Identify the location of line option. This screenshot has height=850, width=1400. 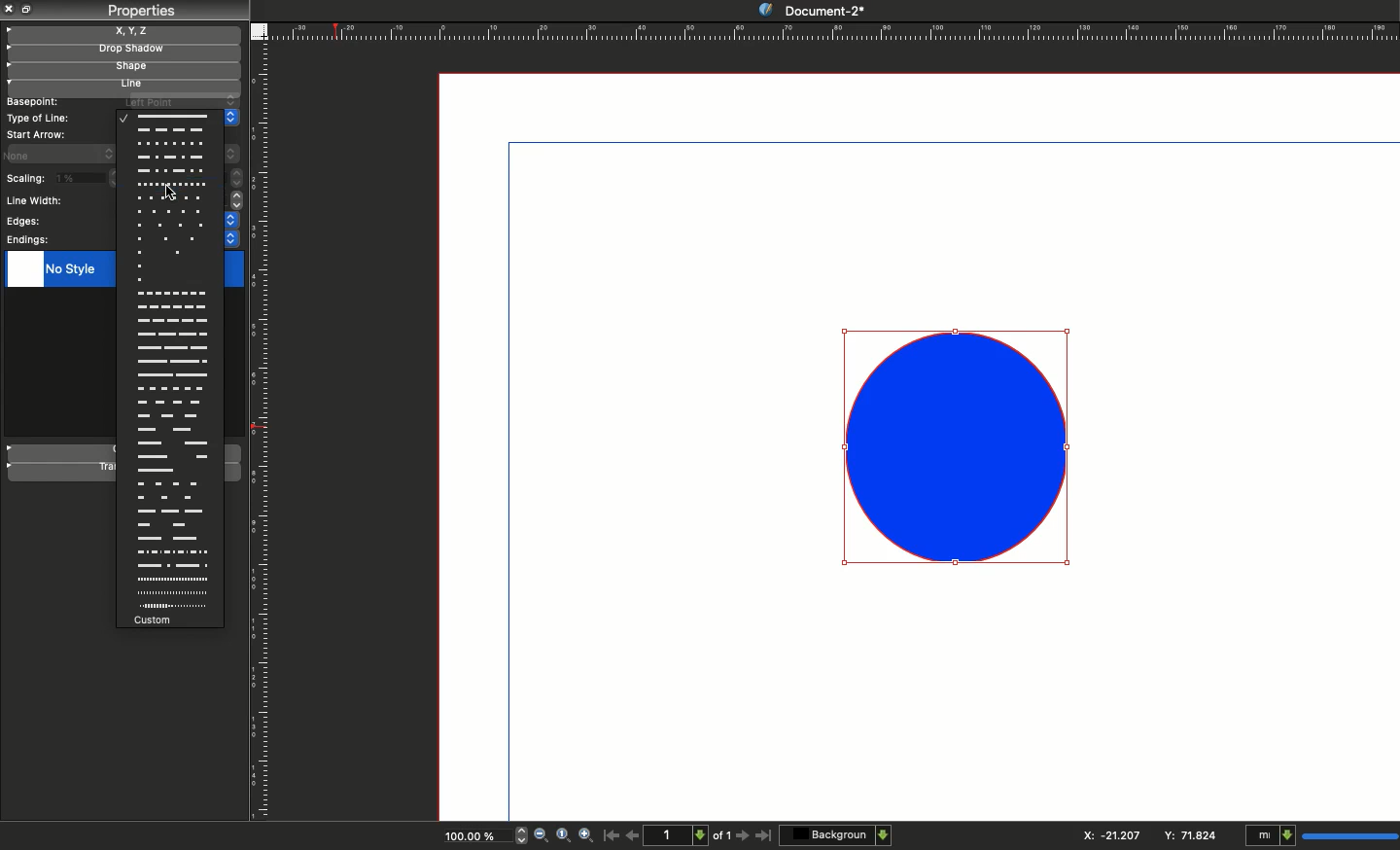
(170, 539).